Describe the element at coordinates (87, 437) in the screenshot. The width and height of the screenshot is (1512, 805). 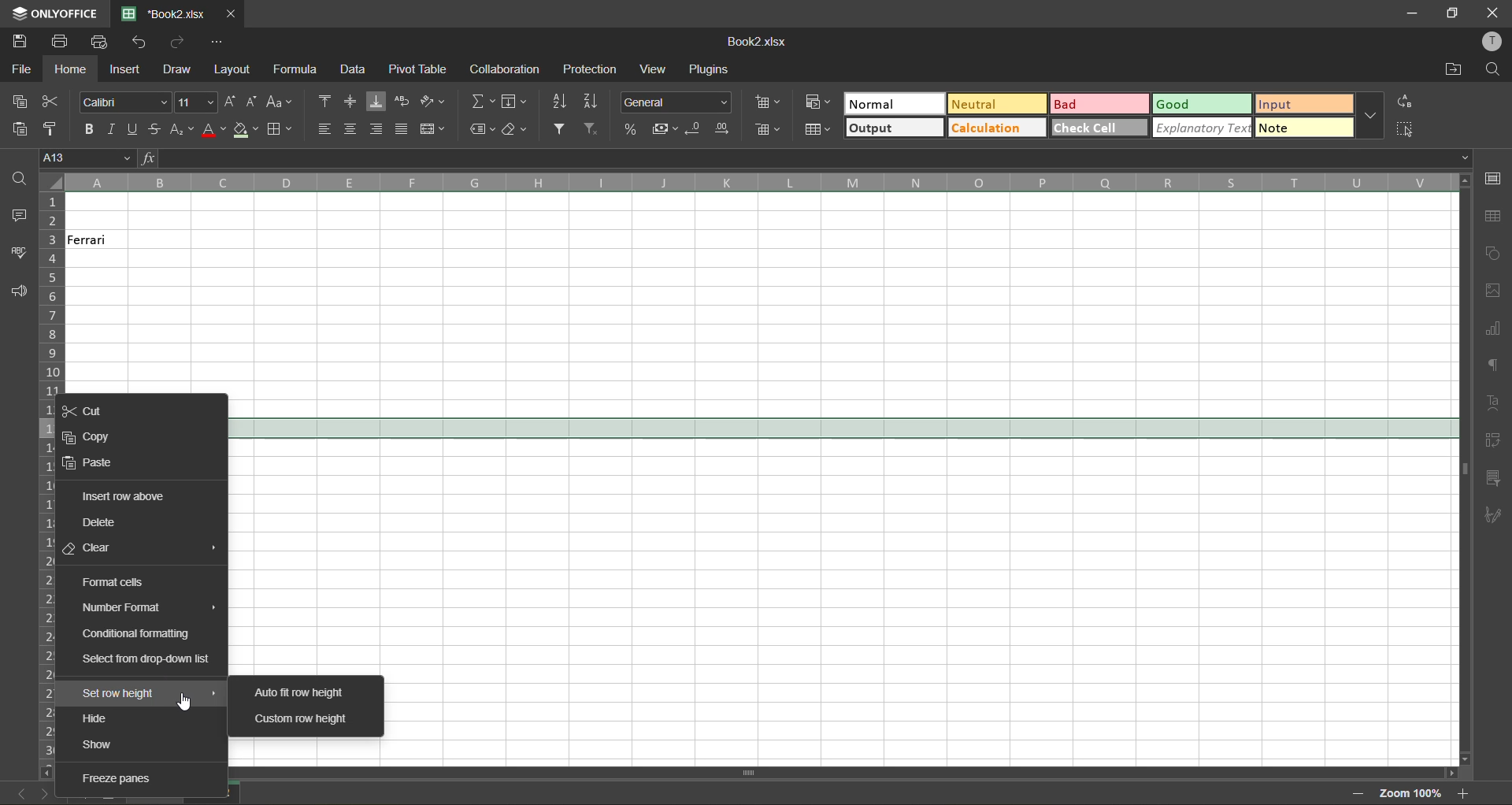
I see `copy` at that location.